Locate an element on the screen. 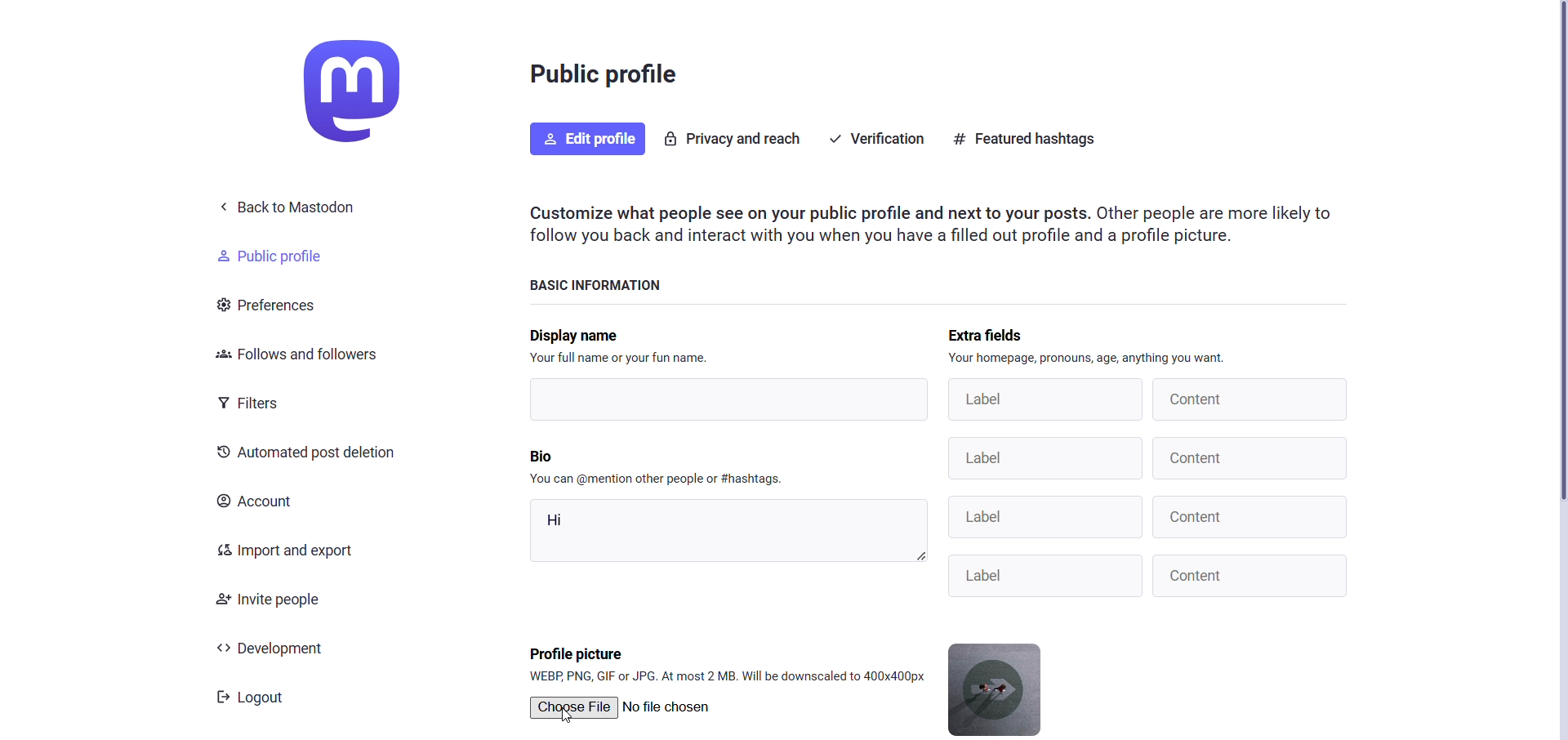 This screenshot has height=740, width=1568. public profile is located at coordinates (603, 71).